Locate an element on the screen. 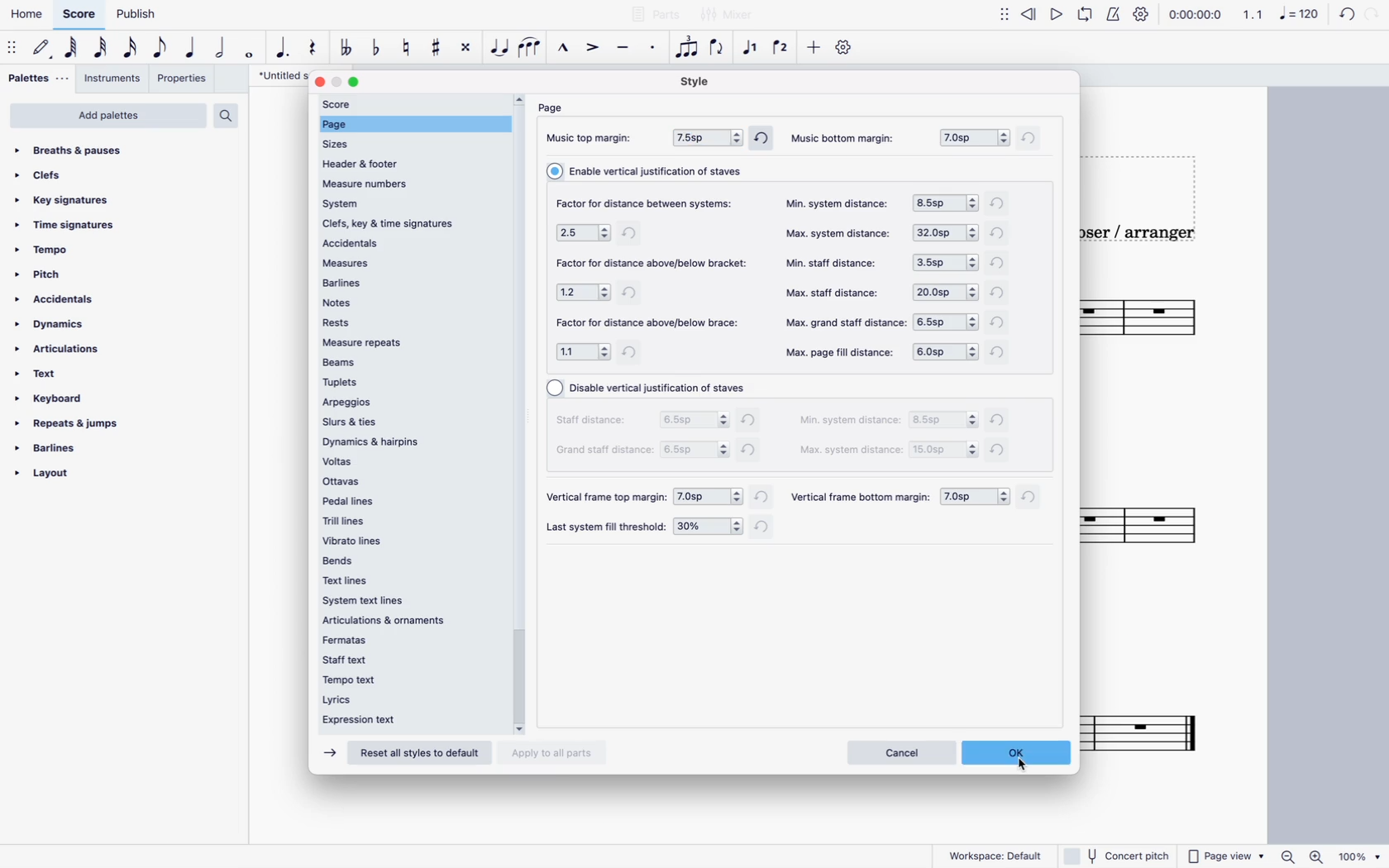  close is located at coordinates (318, 81).